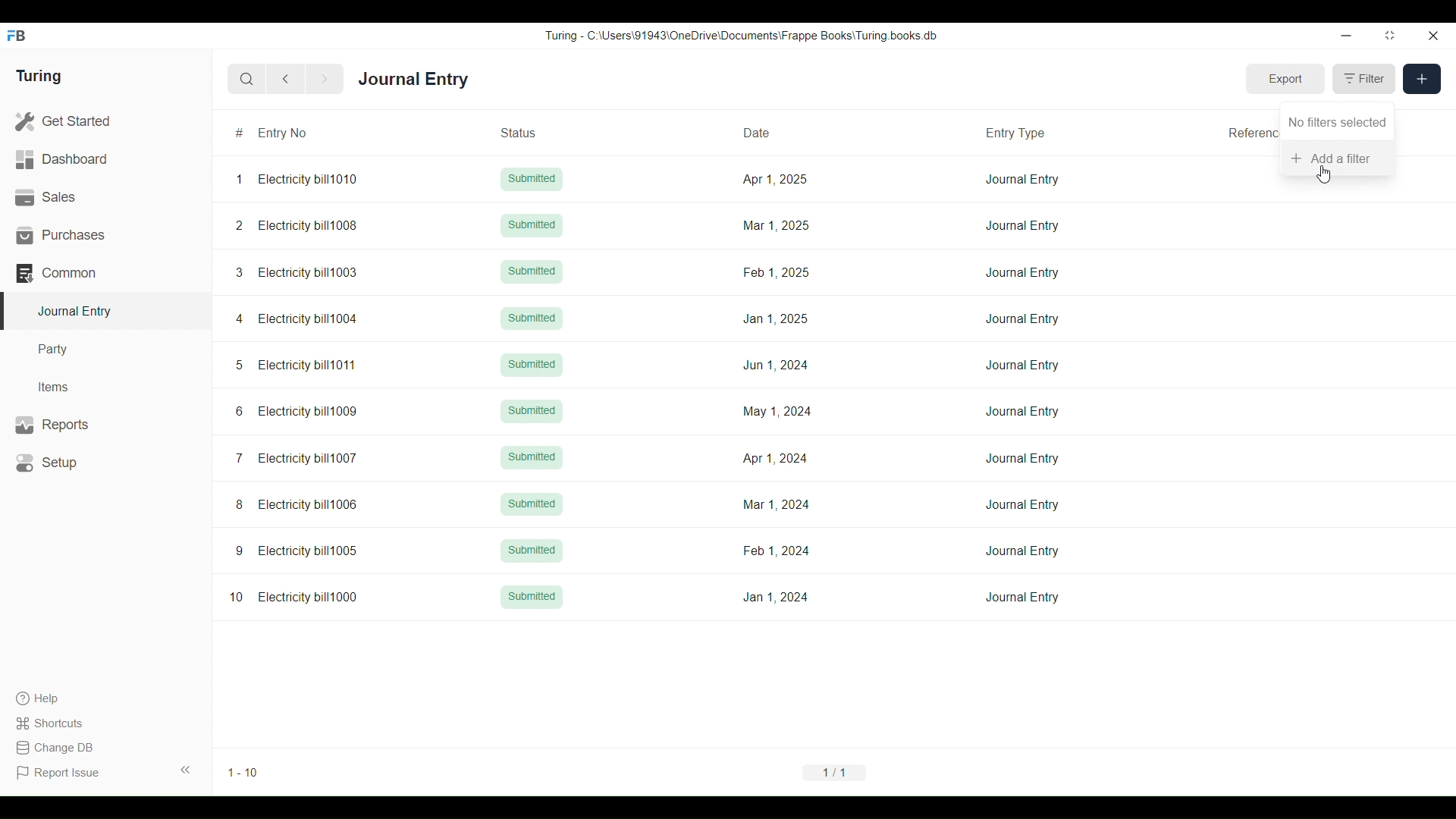 The height and width of the screenshot is (819, 1456). I want to click on Feb 1,2024, so click(776, 551).